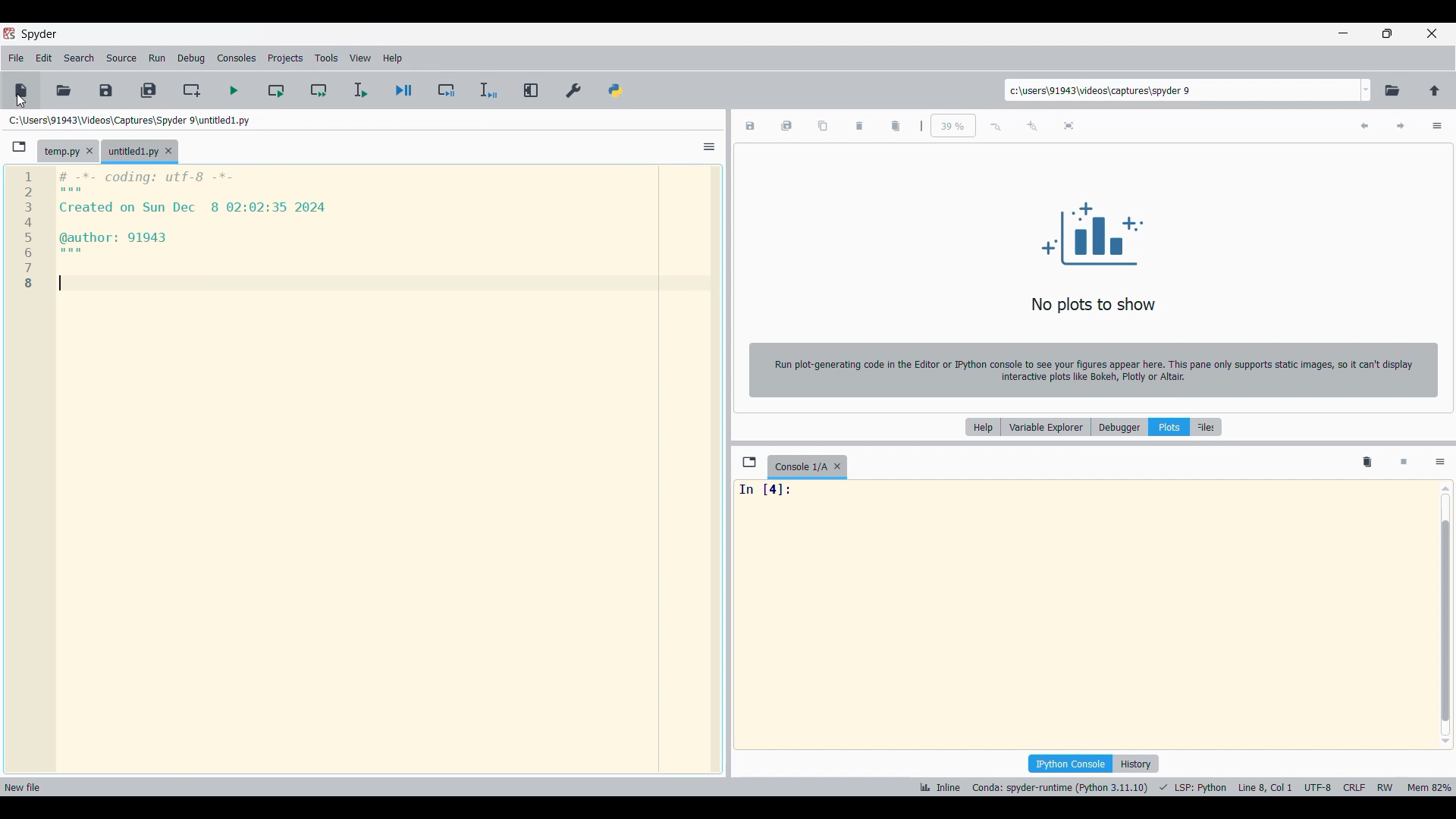  I want to click on Debug selection/current line, so click(488, 90).